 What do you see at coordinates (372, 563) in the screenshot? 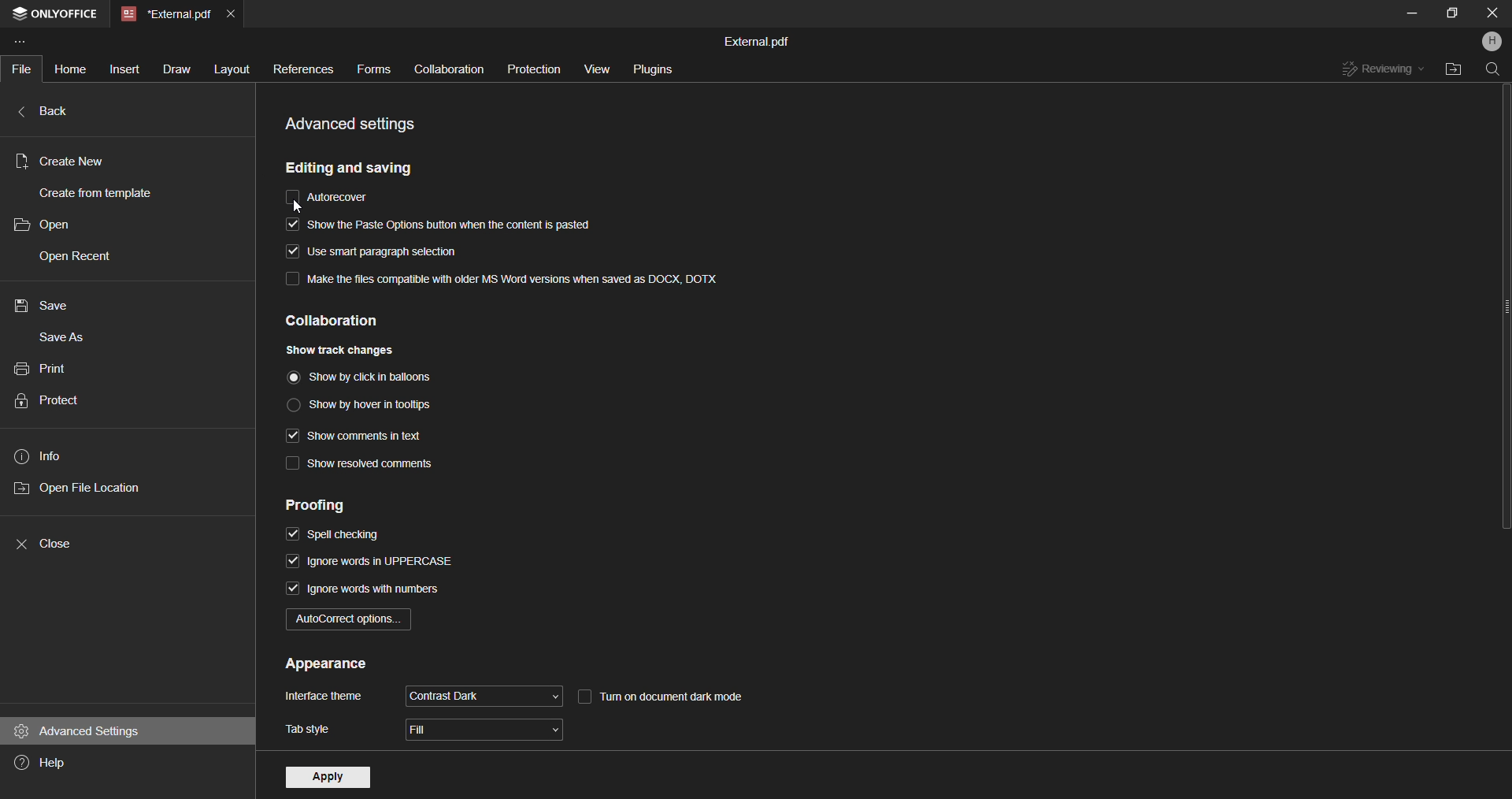
I see `ignore words in uppercase` at bounding box center [372, 563].